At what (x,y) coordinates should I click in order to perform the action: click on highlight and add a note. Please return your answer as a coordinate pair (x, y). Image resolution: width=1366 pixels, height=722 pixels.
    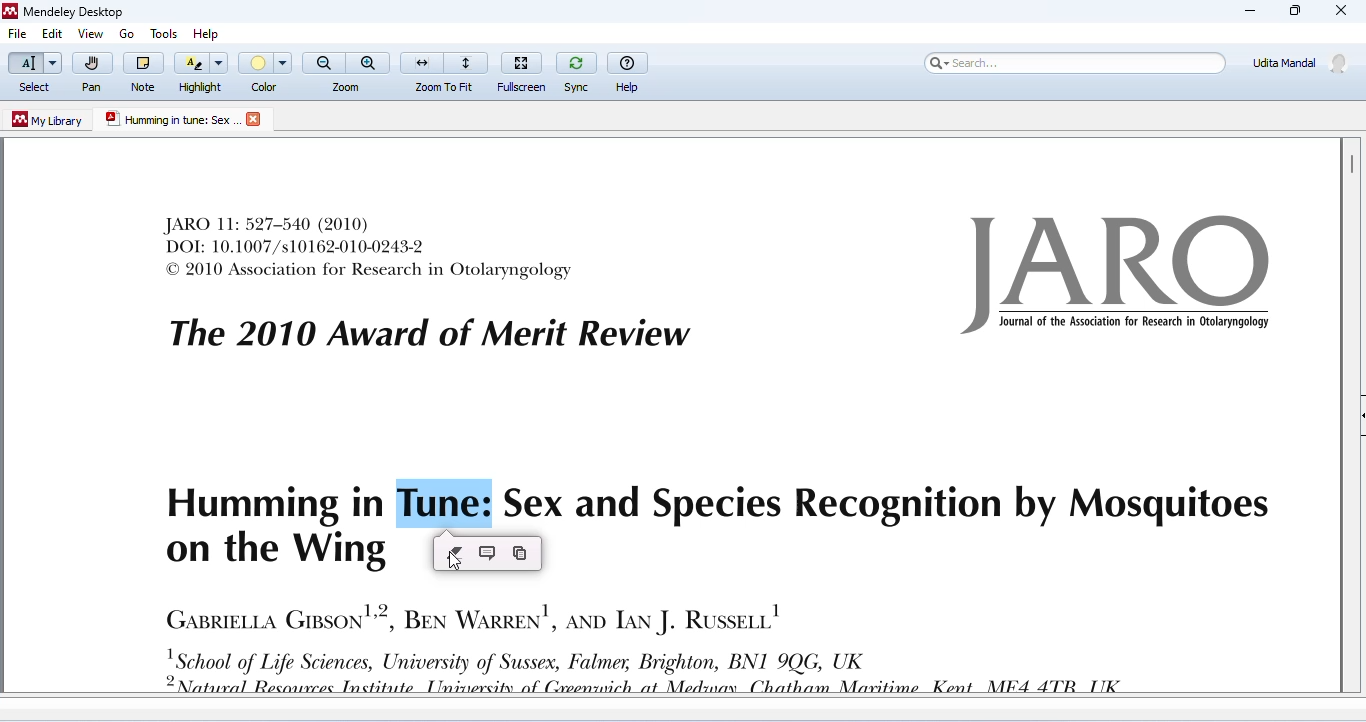
    Looking at the image, I should click on (490, 553).